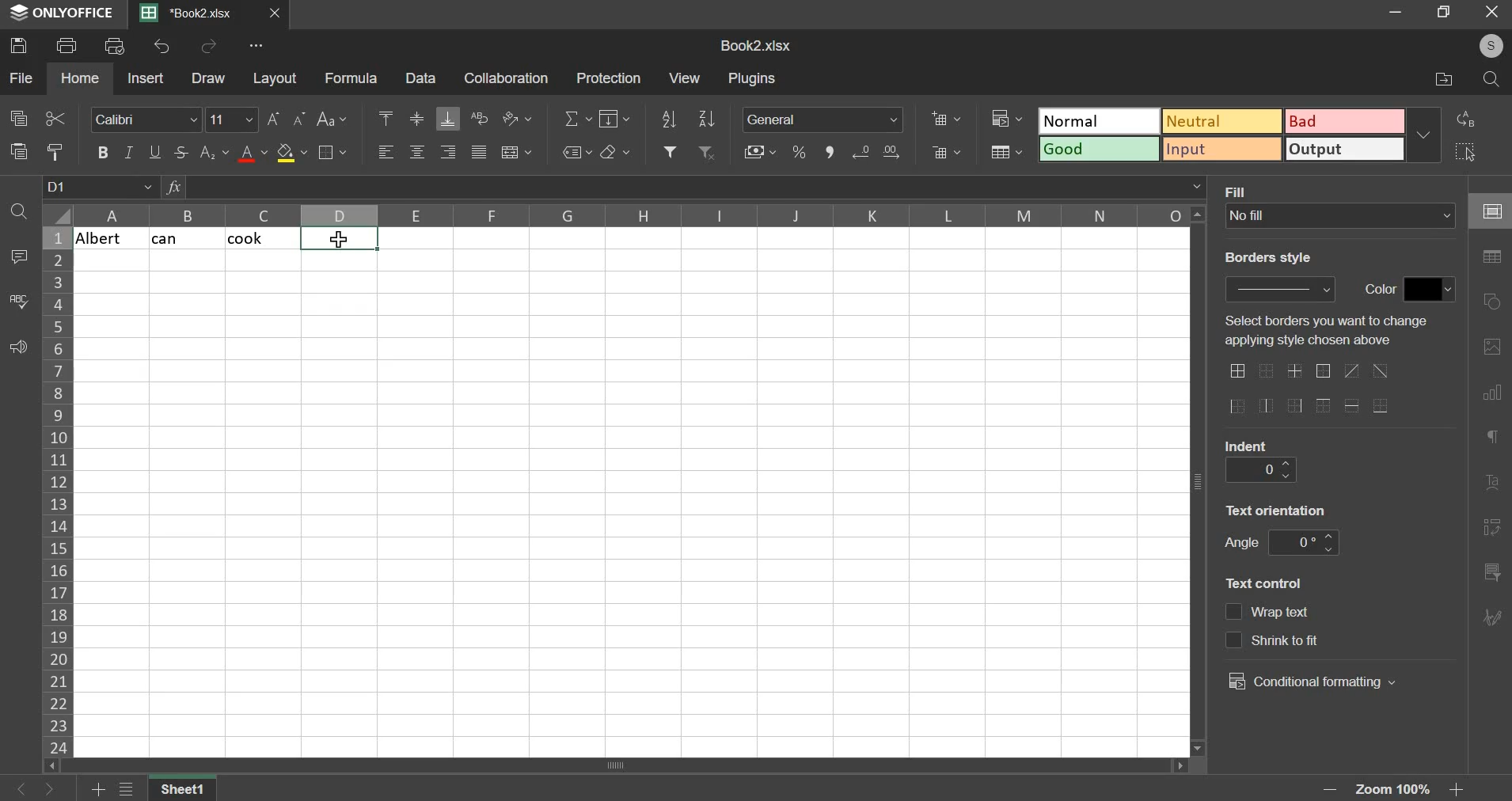 This screenshot has width=1512, height=801. What do you see at coordinates (946, 118) in the screenshot?
I see `add cells` at bounding box center [946, 118].